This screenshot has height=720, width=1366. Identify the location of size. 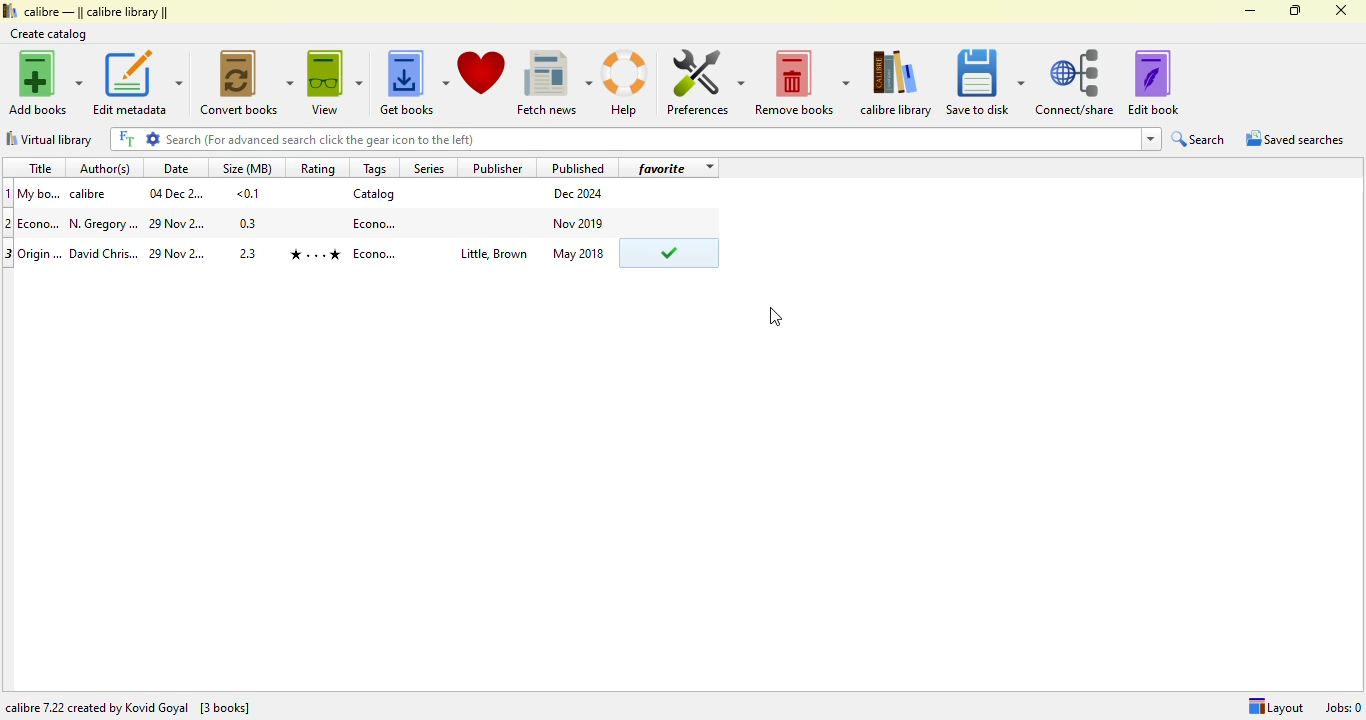
(250, 251).